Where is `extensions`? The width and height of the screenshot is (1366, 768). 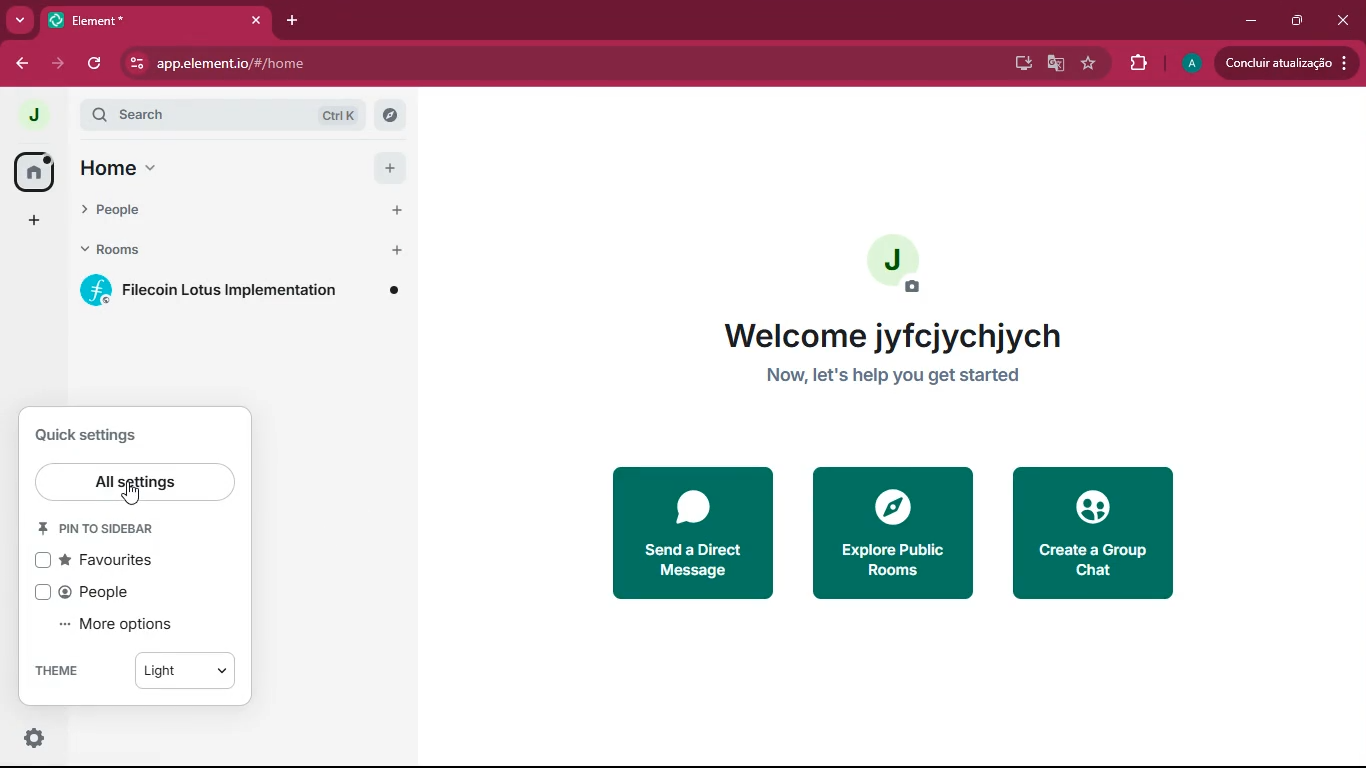 extensions is located at coordinates (1136, 62).